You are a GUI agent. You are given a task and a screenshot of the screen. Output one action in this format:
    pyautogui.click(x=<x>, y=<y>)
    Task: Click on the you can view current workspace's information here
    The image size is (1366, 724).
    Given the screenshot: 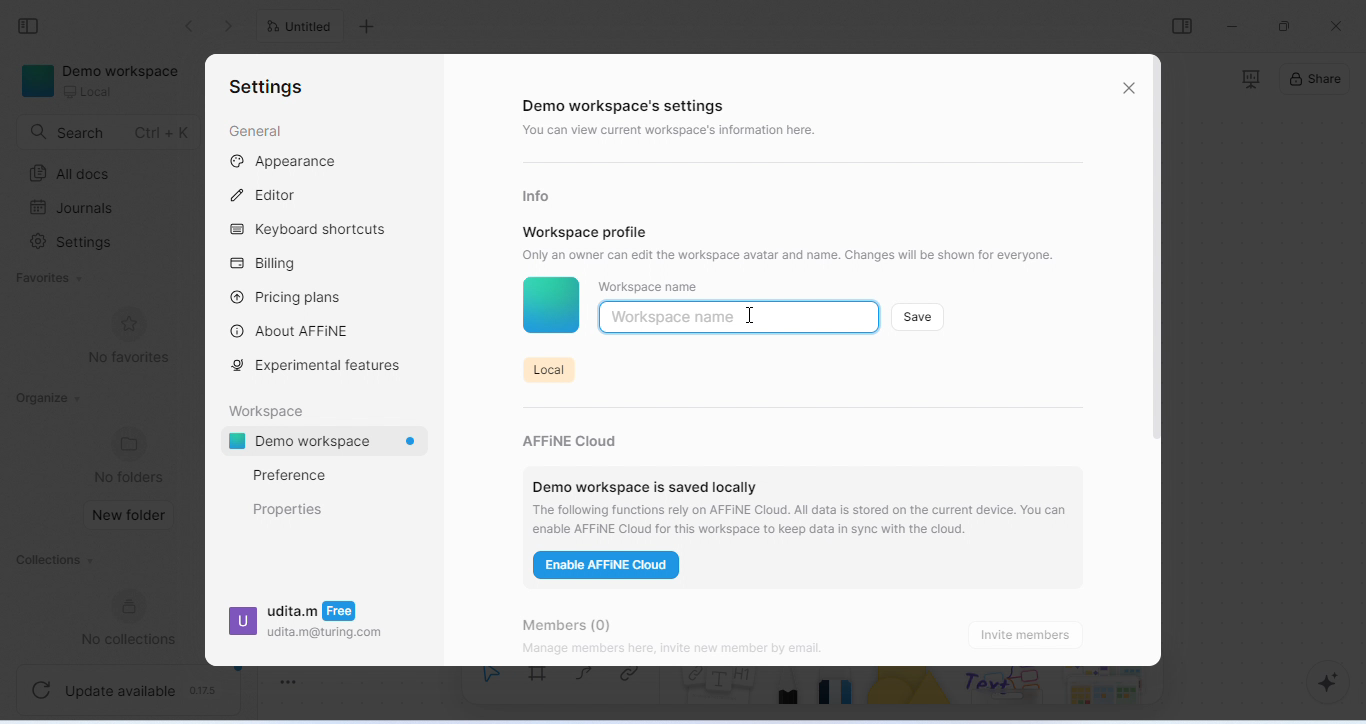 What is the action you would take?
    pyautogui.click(x=674, y=132)
    